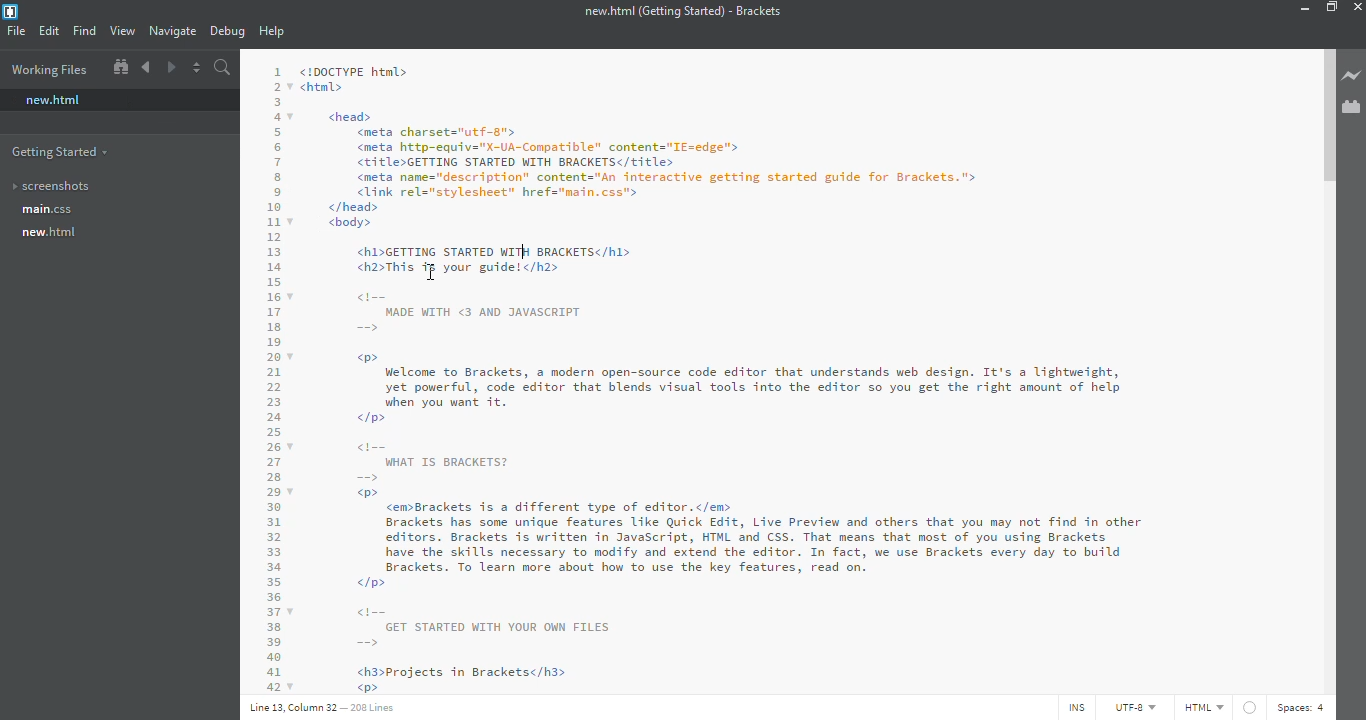 The width and height of the screenshot is (1366, 720). I want to click on « new.htm!l (Getting Started) - Brackets, so click(683, 10).